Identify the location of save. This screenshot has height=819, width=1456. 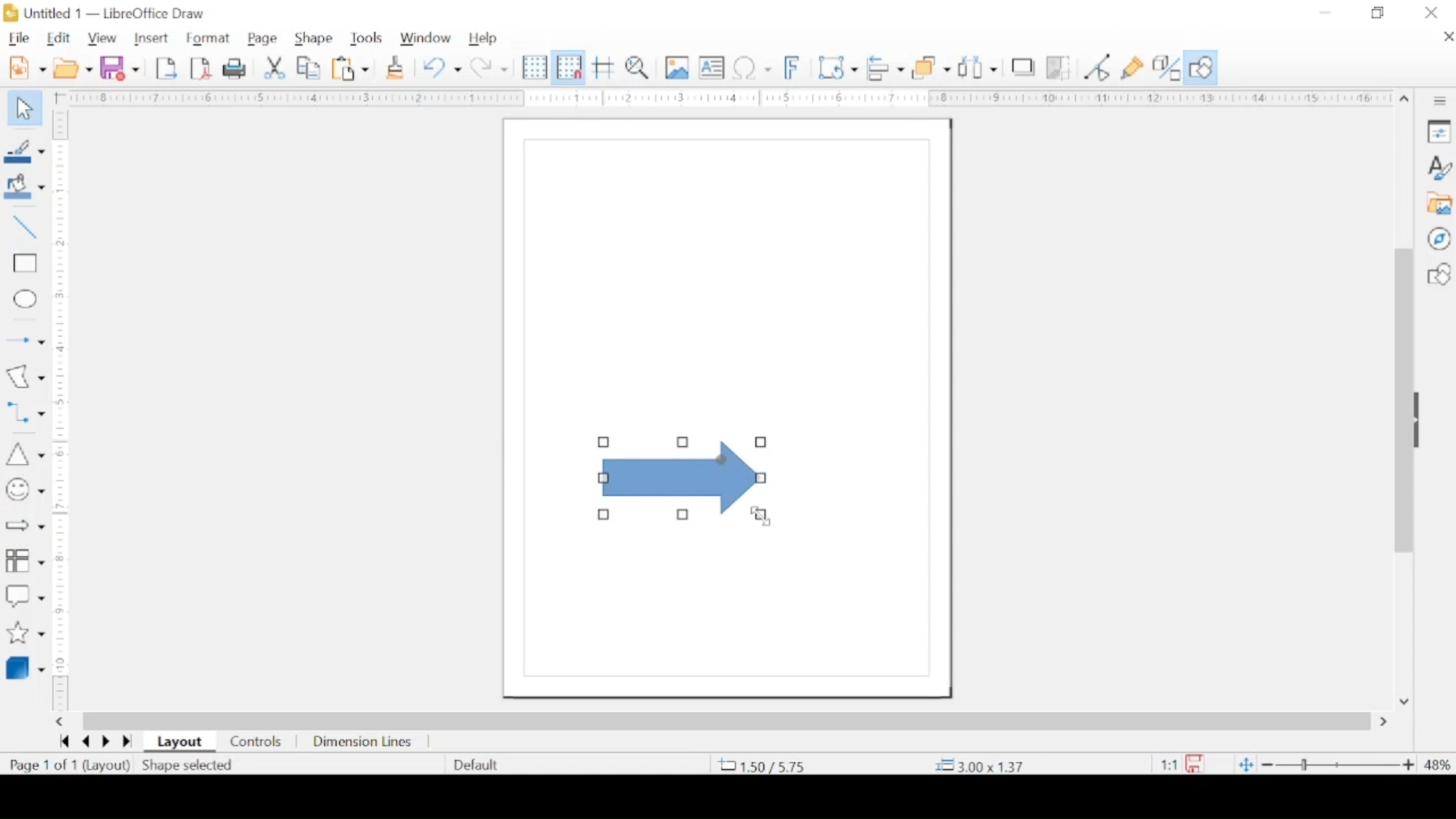
(120, 67).